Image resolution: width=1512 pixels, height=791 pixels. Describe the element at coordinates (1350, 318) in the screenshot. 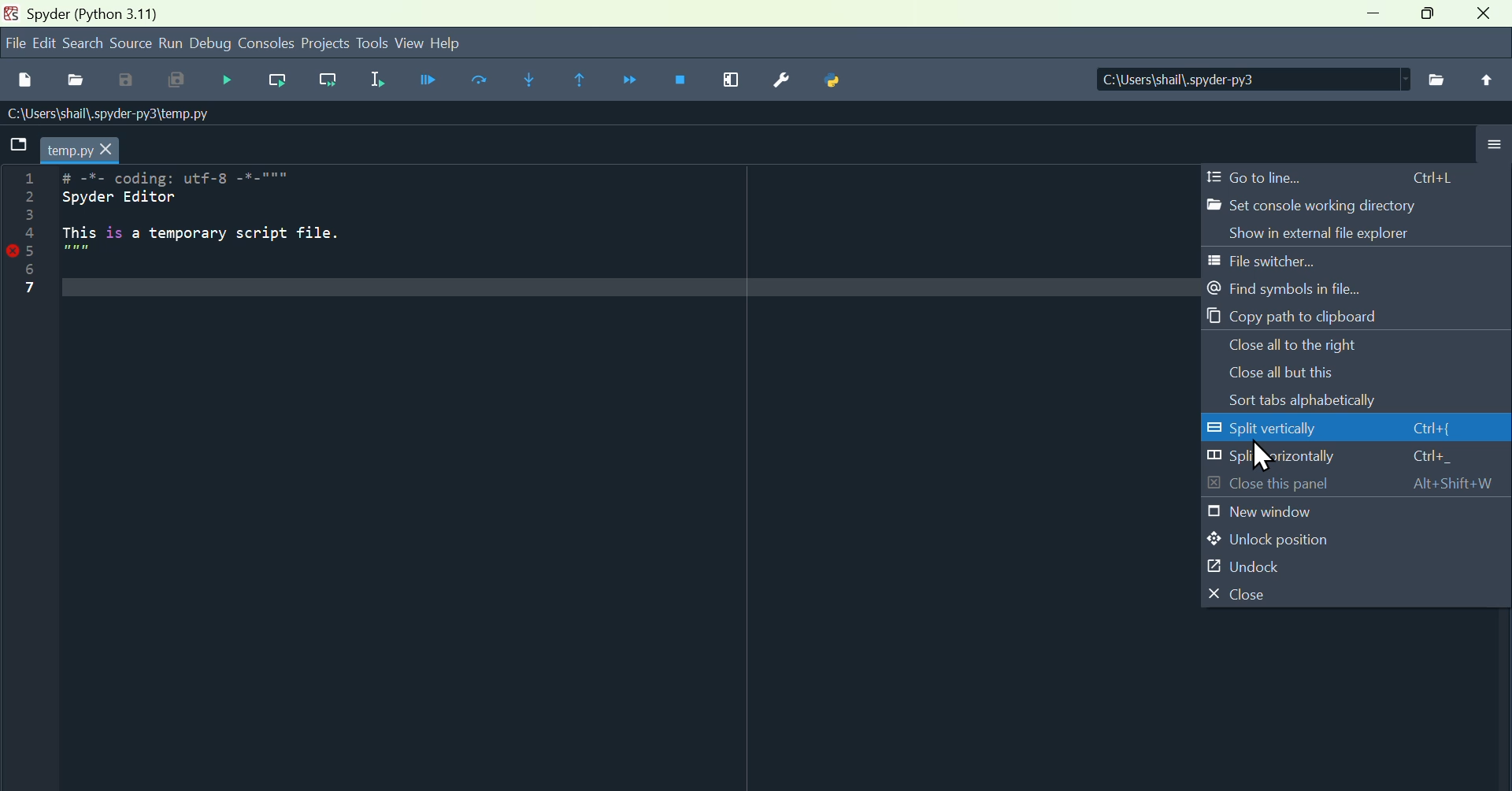

I see `Copy path to clipboard` at that location.